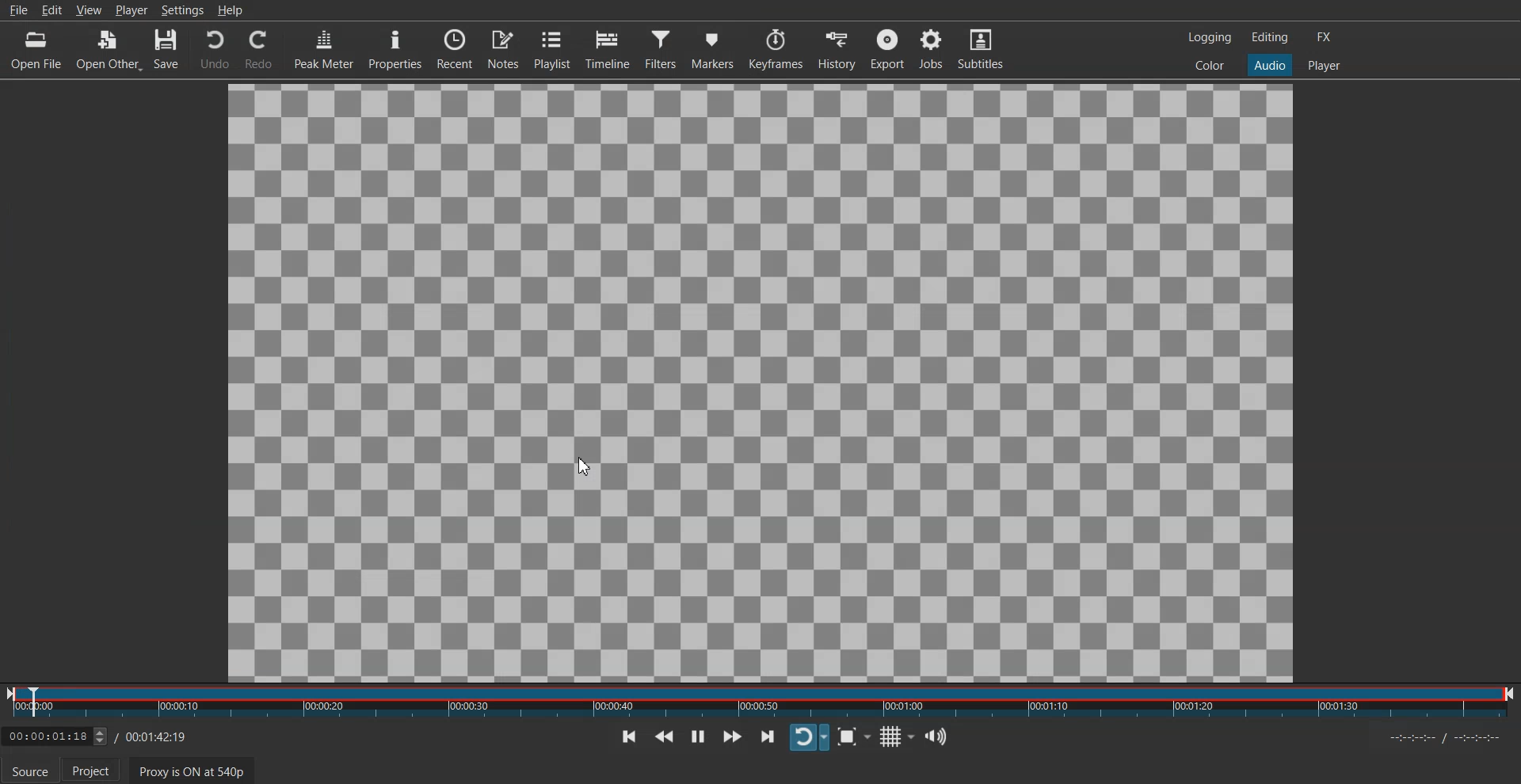 The image size is (1521, 784). I want to click on Edit, so click(51, 10).